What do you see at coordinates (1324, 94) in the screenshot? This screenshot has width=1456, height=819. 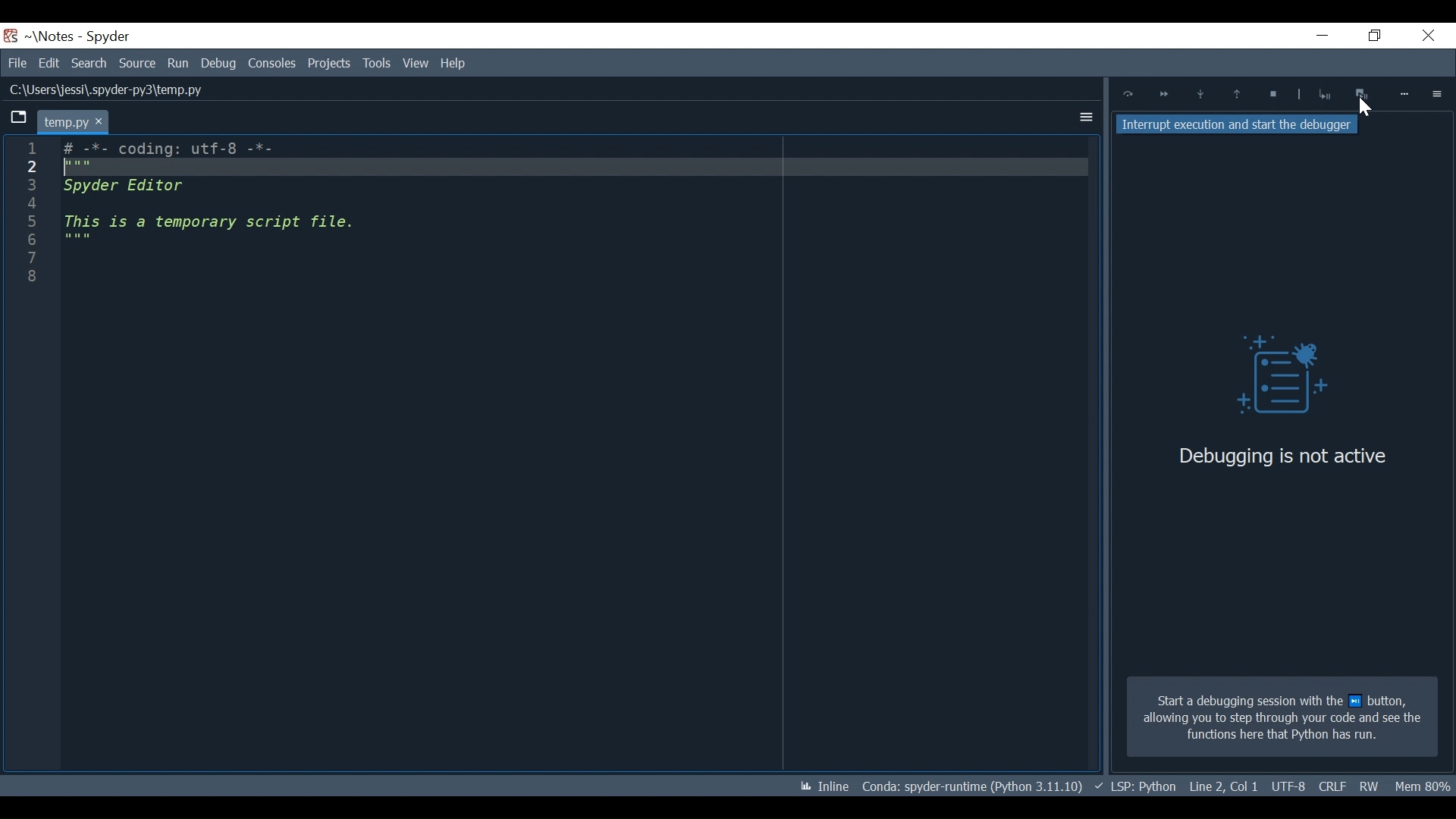 I see `Stop Debugging` at bounding box center [1324, 94].